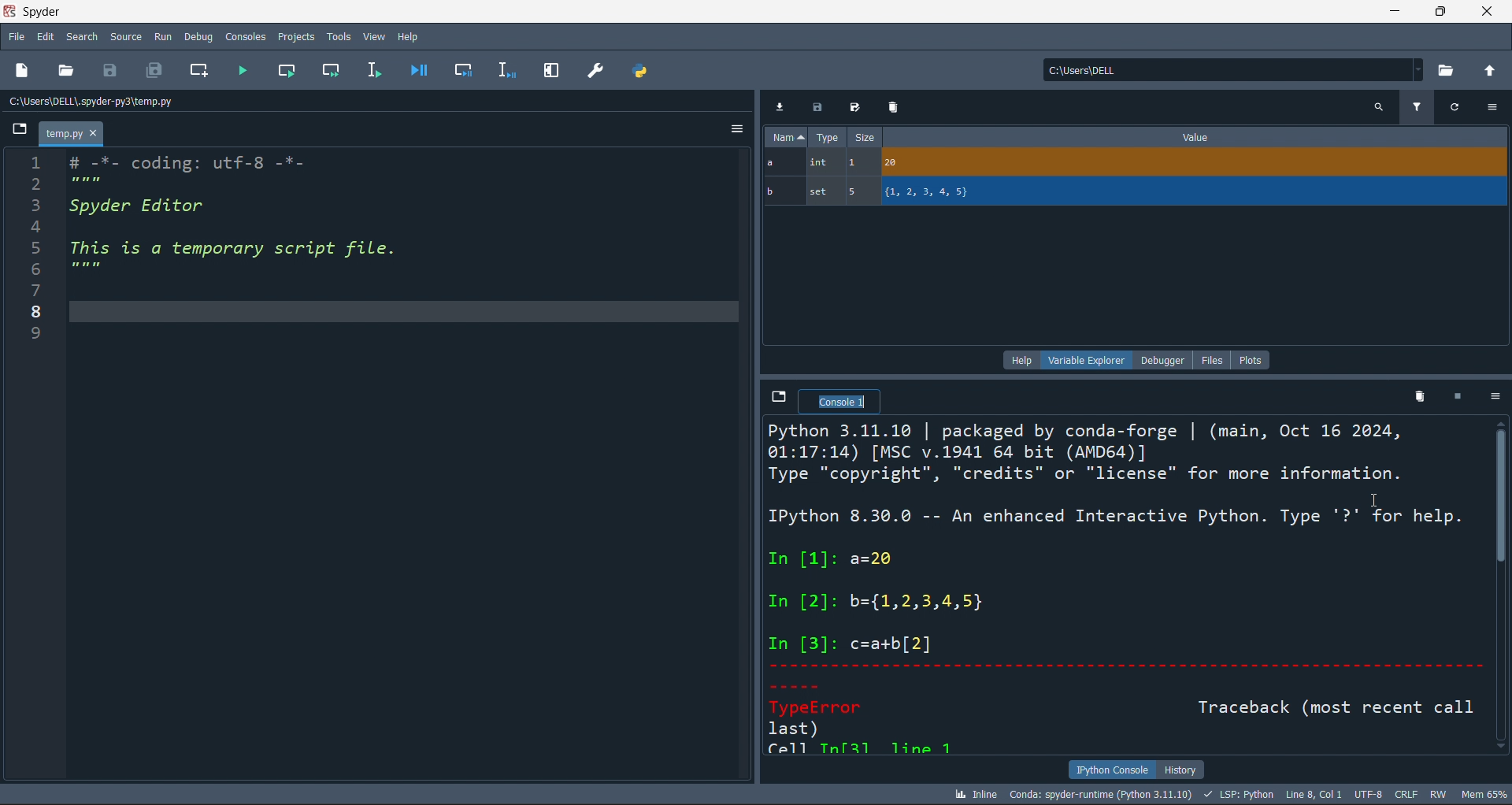  What do you see at coordinates (28, 469) in the screenshot?
I see `line number` at bounding box center [28, 469].